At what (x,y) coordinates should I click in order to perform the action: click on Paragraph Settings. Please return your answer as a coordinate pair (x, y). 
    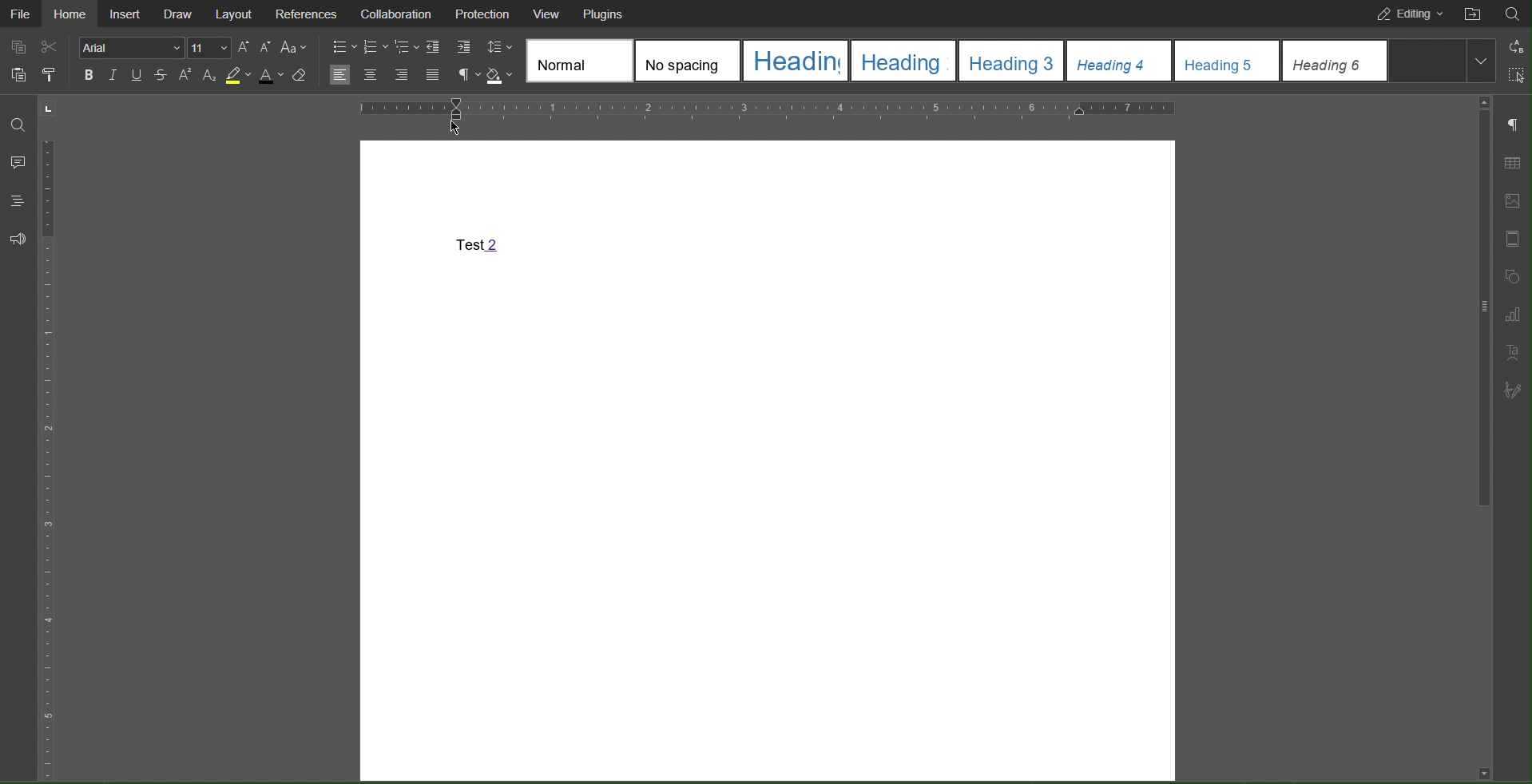
    Looking at the image, I should click on (469, 73).